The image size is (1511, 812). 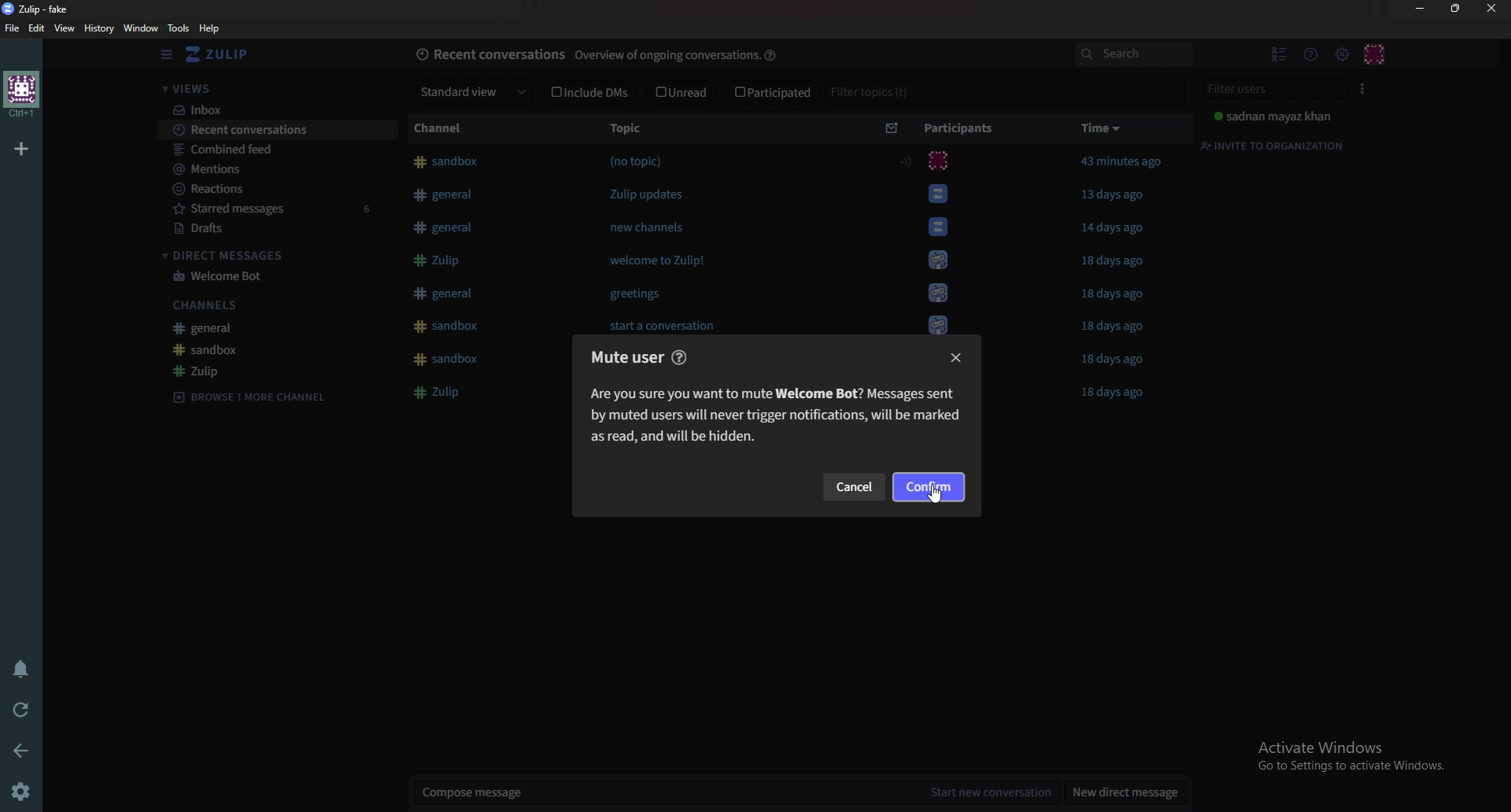 What do you see at coordinates (179, 28) in the screenshot?
I see `Tools` at bounding box center [179, 28].